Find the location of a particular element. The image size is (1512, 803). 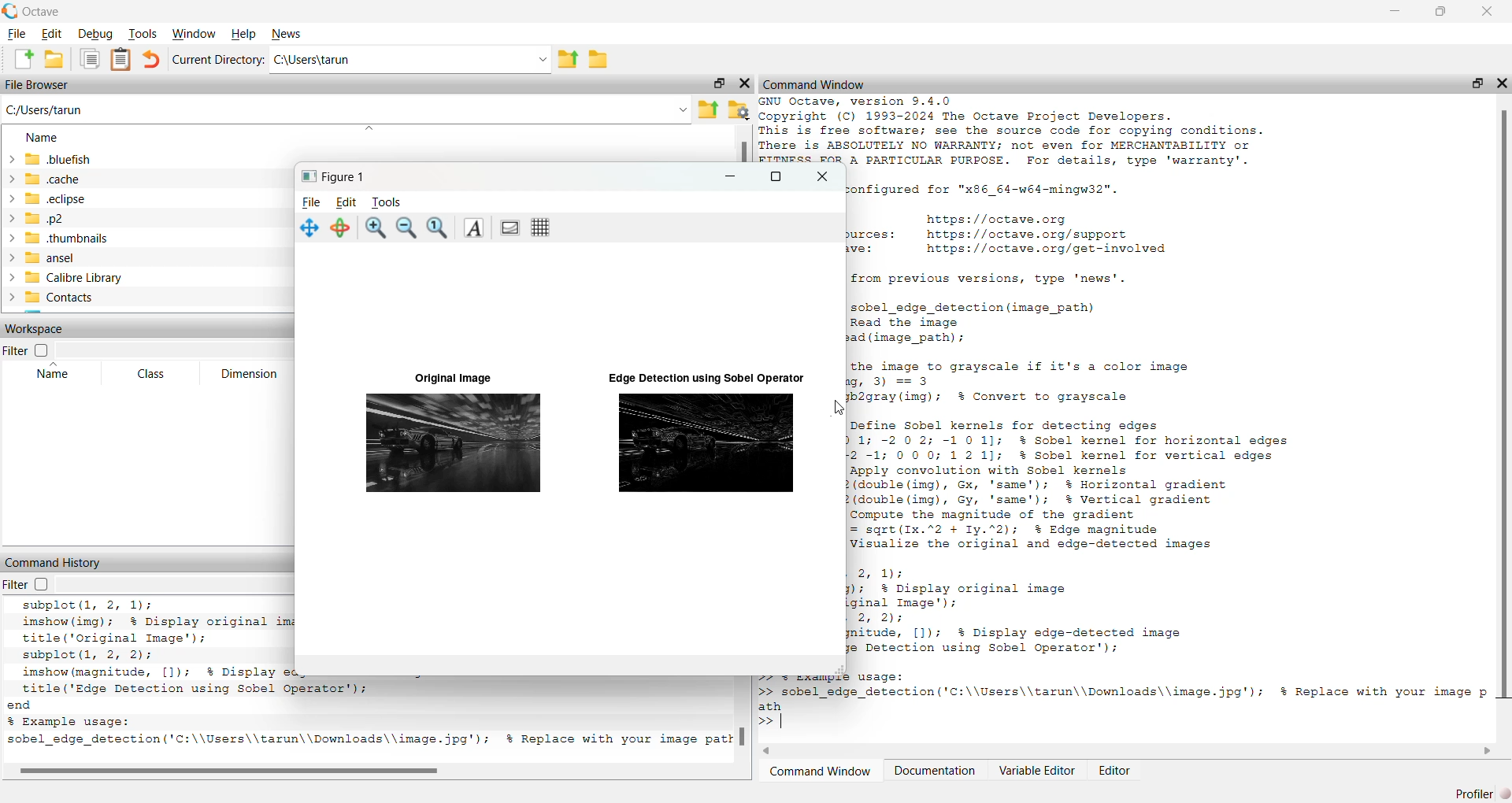

Command Window is located at coordinates (815, 82).